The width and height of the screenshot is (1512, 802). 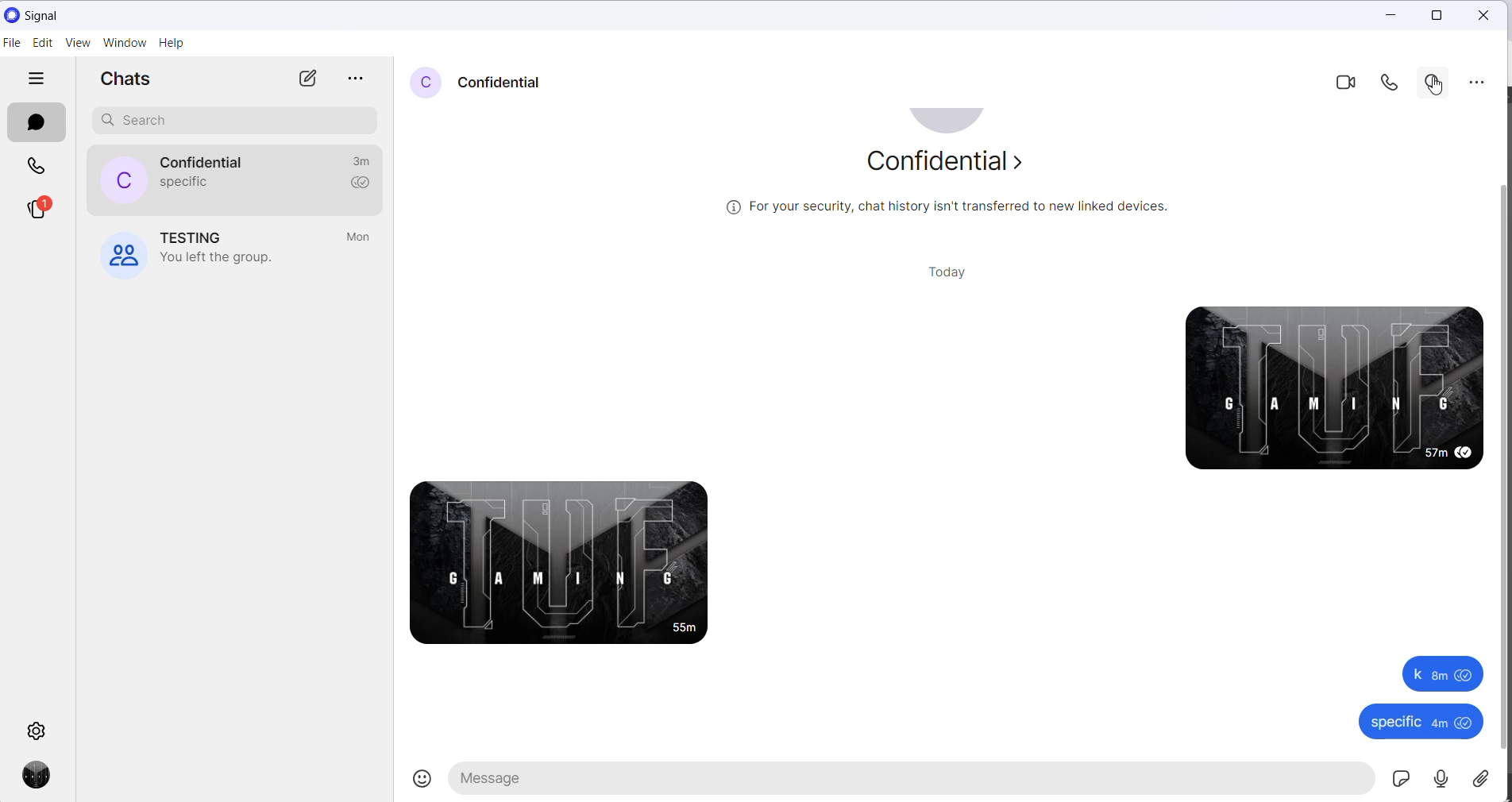 What do you see at coordinates (1483, 15) in the screenshot?
I see `close` at bounding box center [1483, 15].